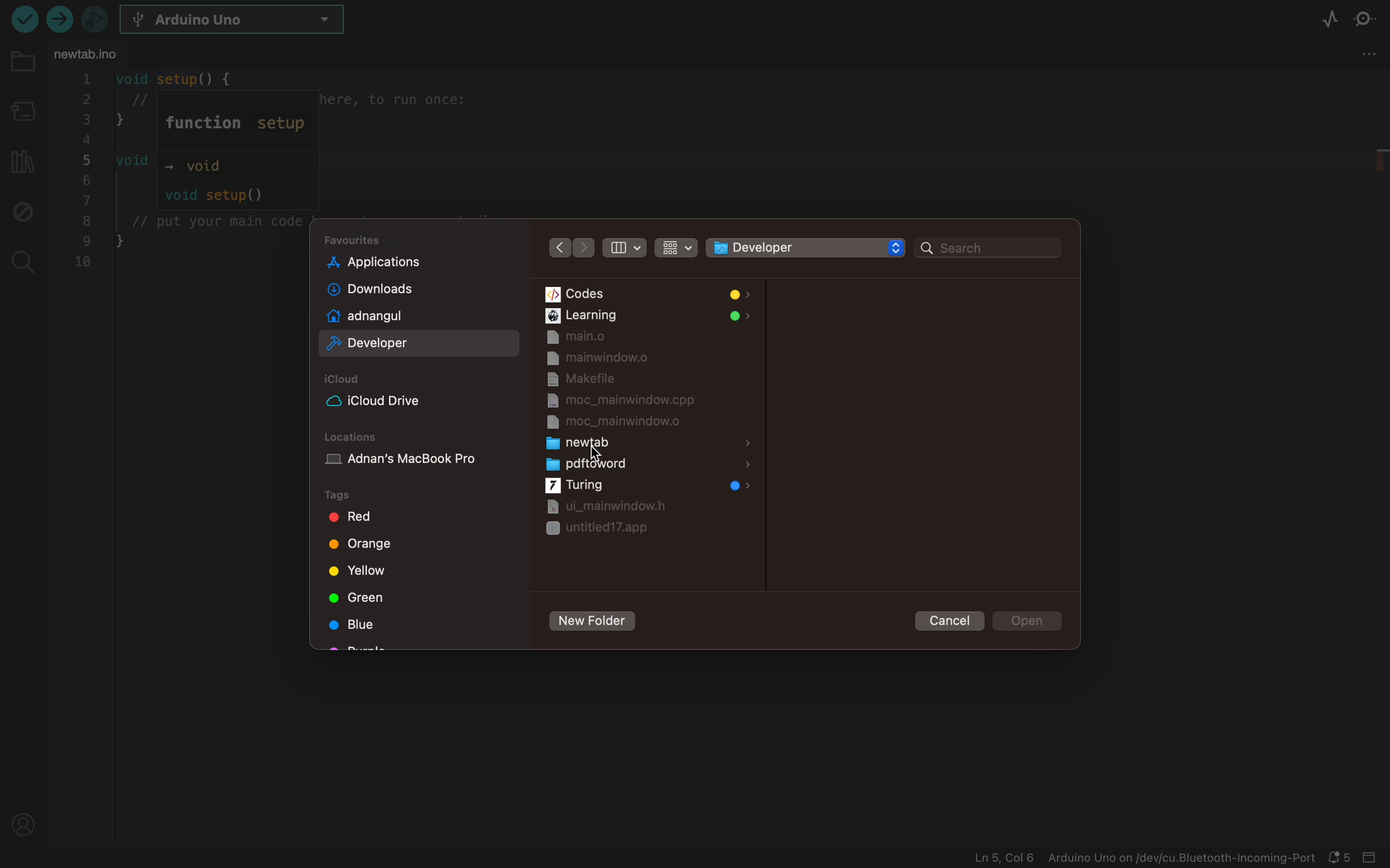  Describe the element at coordinates (183, 173) in the screenshot. I see `code` at that location.